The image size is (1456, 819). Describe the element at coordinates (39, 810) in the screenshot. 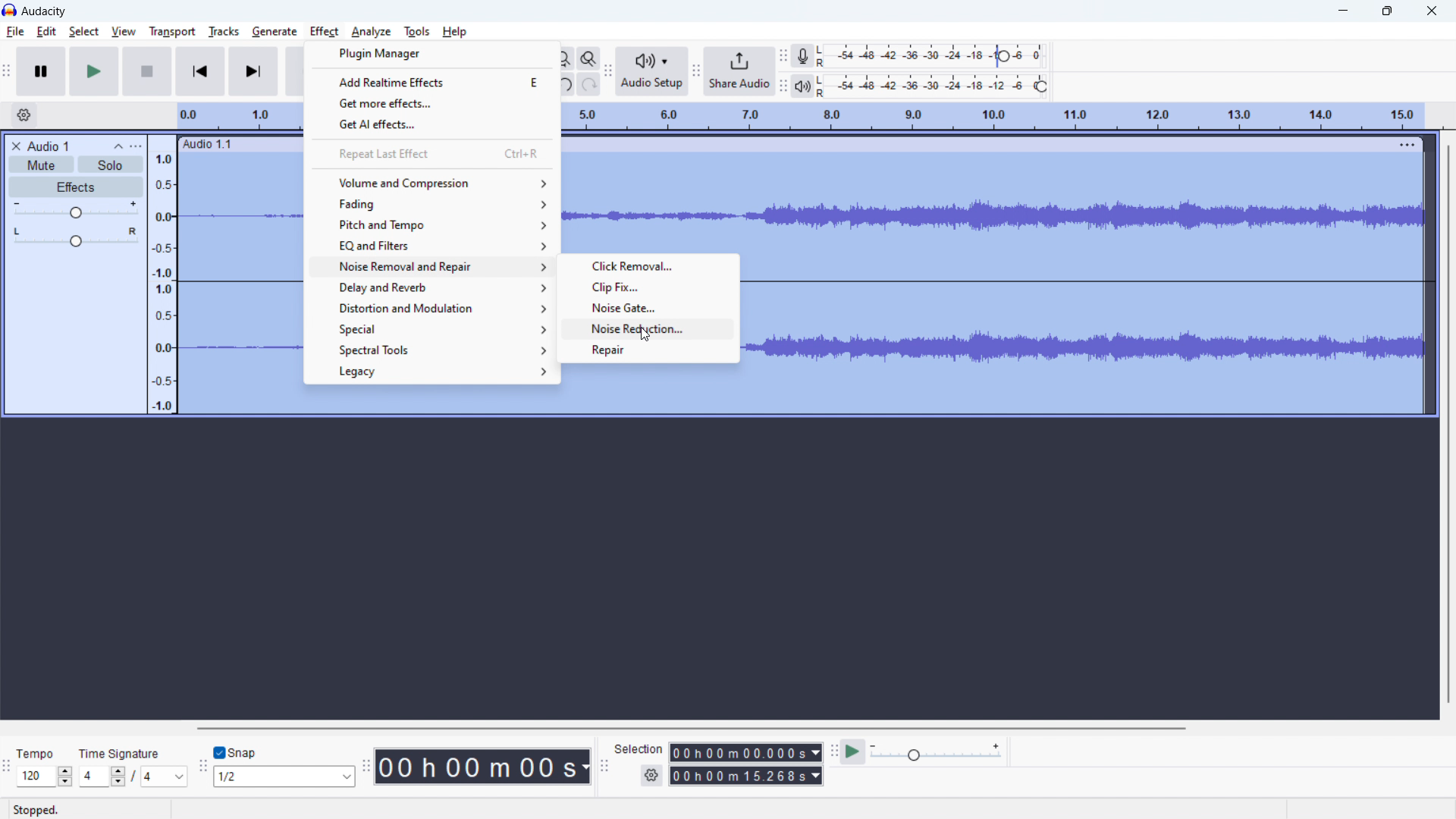

I see `Stopped ` at that location.